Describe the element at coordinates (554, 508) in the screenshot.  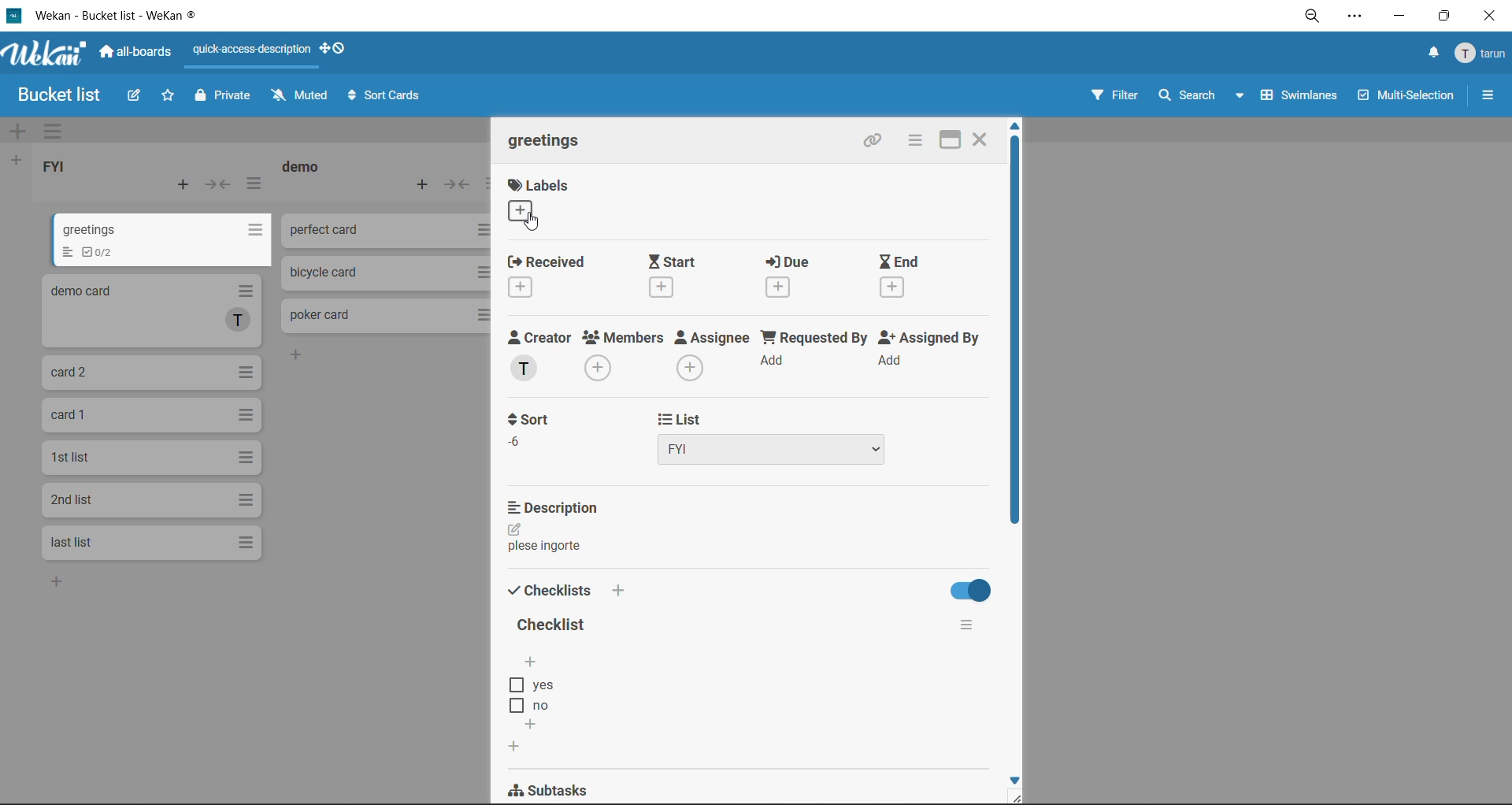
I see `description` at that location.